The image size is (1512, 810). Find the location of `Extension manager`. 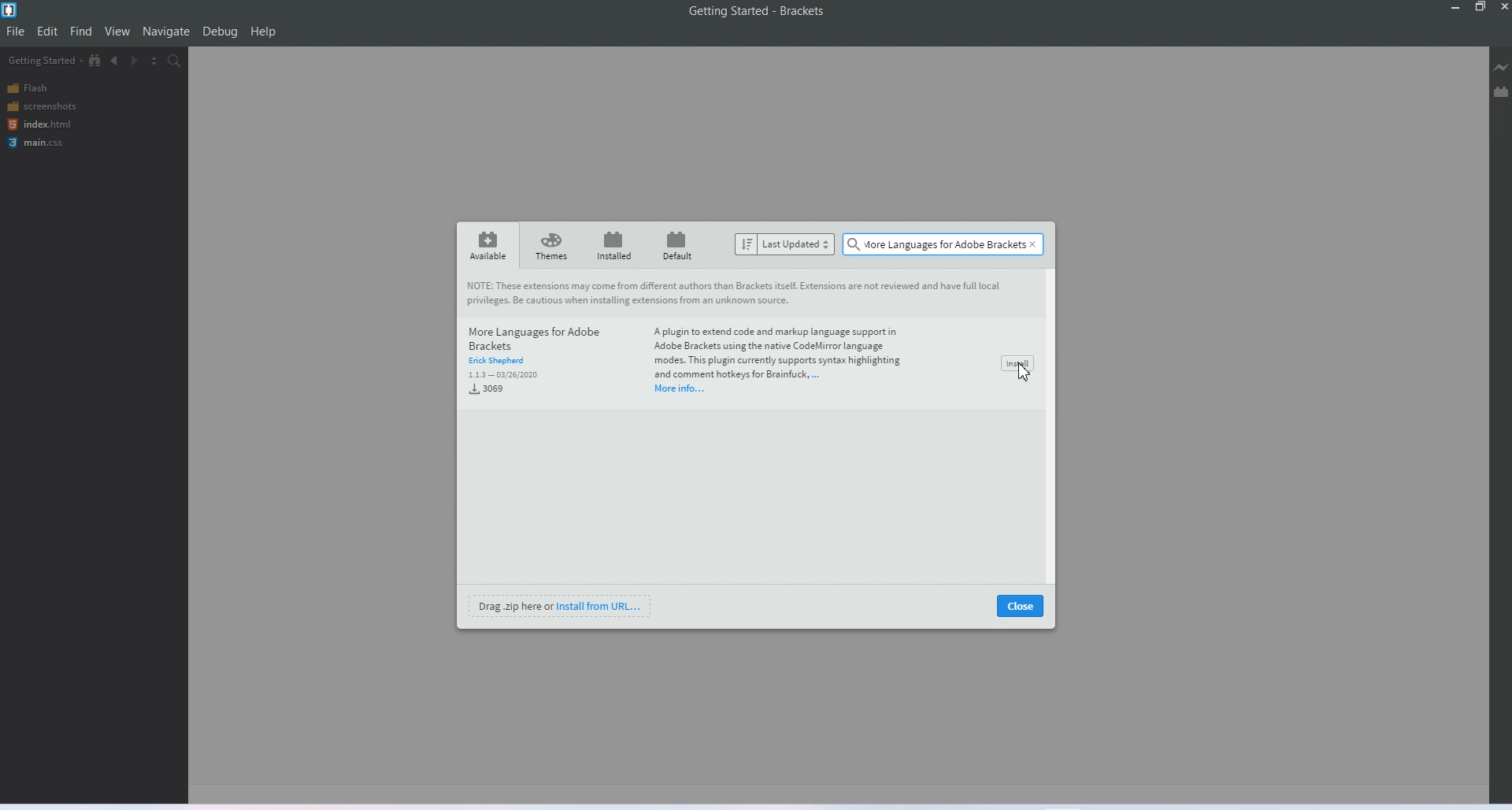

Extension manager is located at coordinates (1501, 91).